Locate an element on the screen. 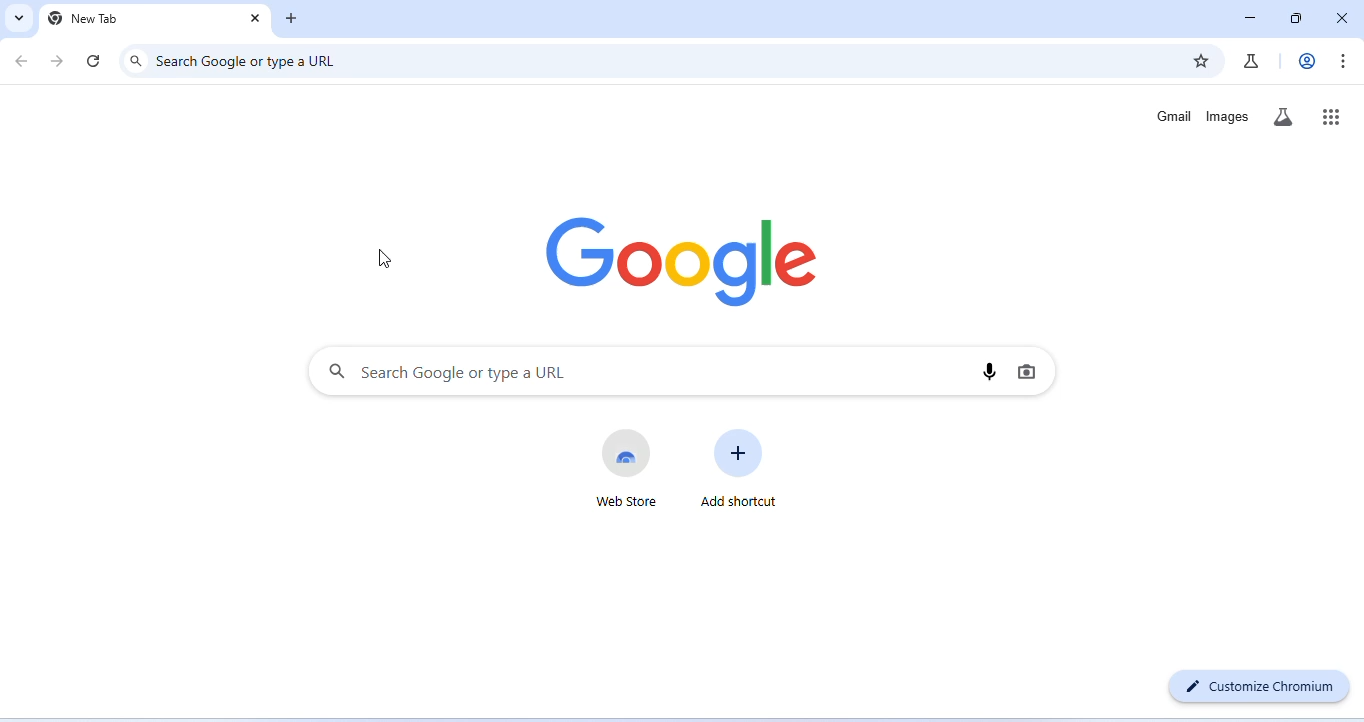  close is located at coordinates (1341, 16).